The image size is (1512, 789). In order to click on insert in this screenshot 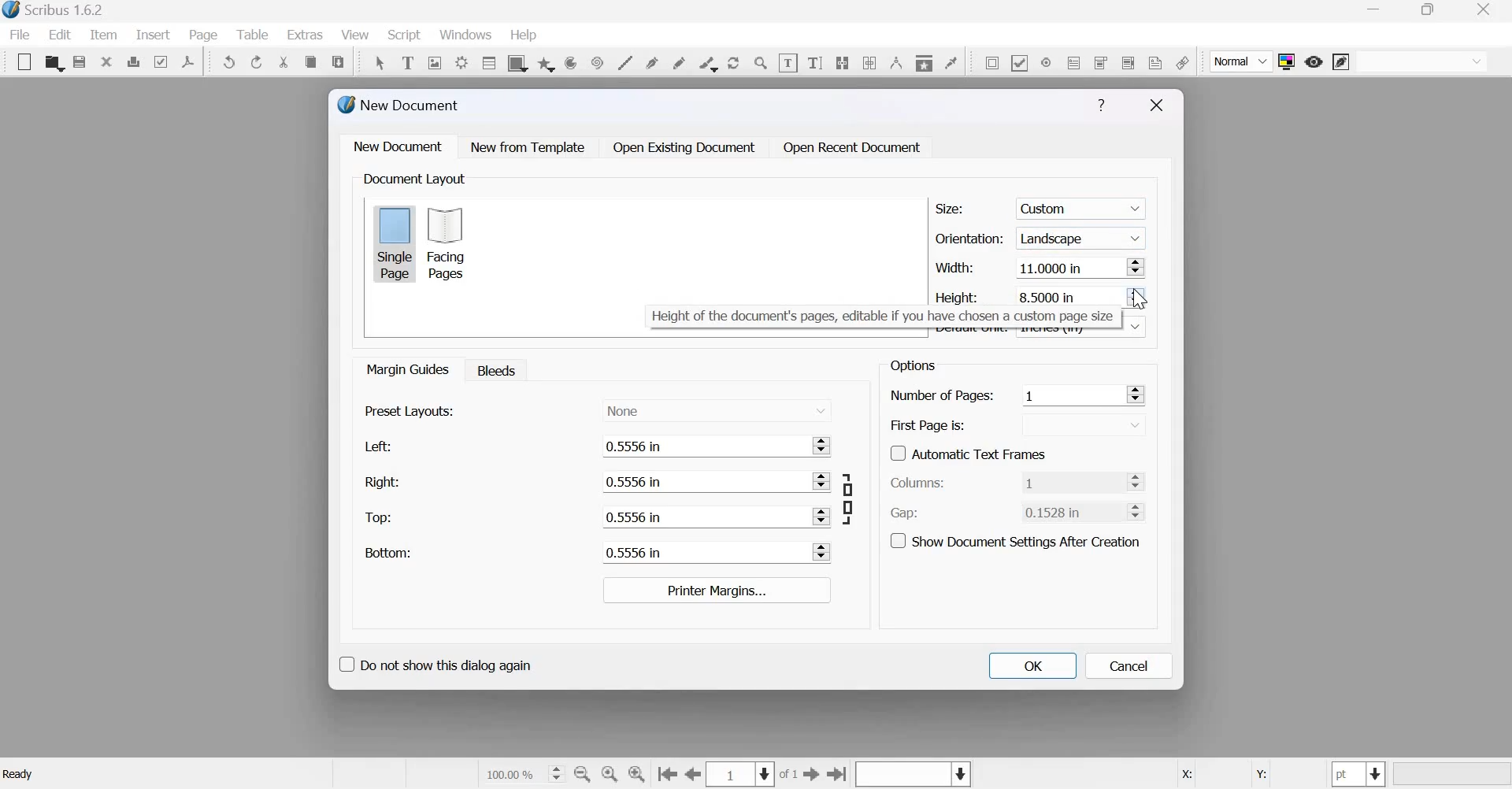, I will do `click(153, 34)`.